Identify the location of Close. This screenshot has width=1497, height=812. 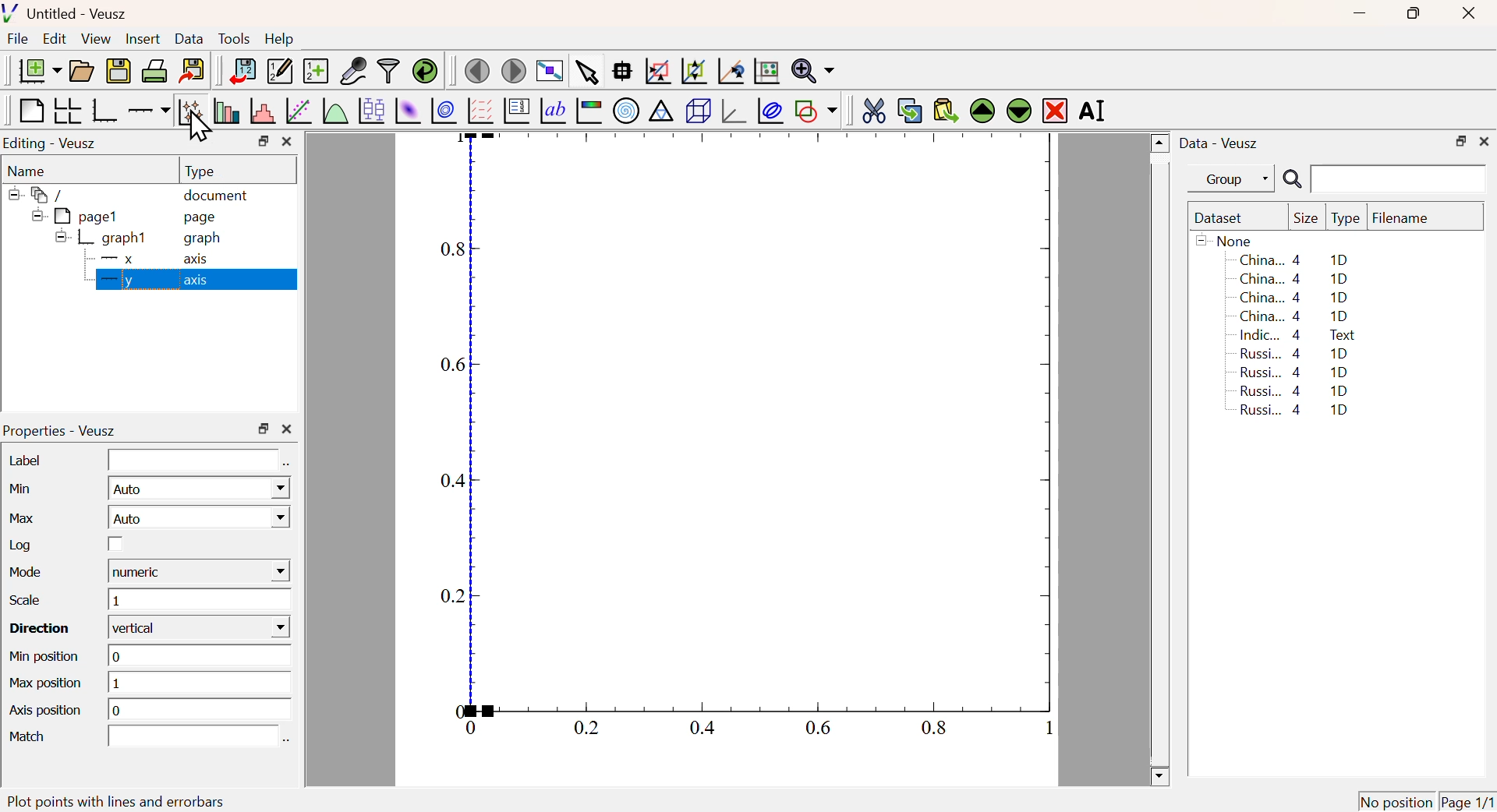
(287, 142).